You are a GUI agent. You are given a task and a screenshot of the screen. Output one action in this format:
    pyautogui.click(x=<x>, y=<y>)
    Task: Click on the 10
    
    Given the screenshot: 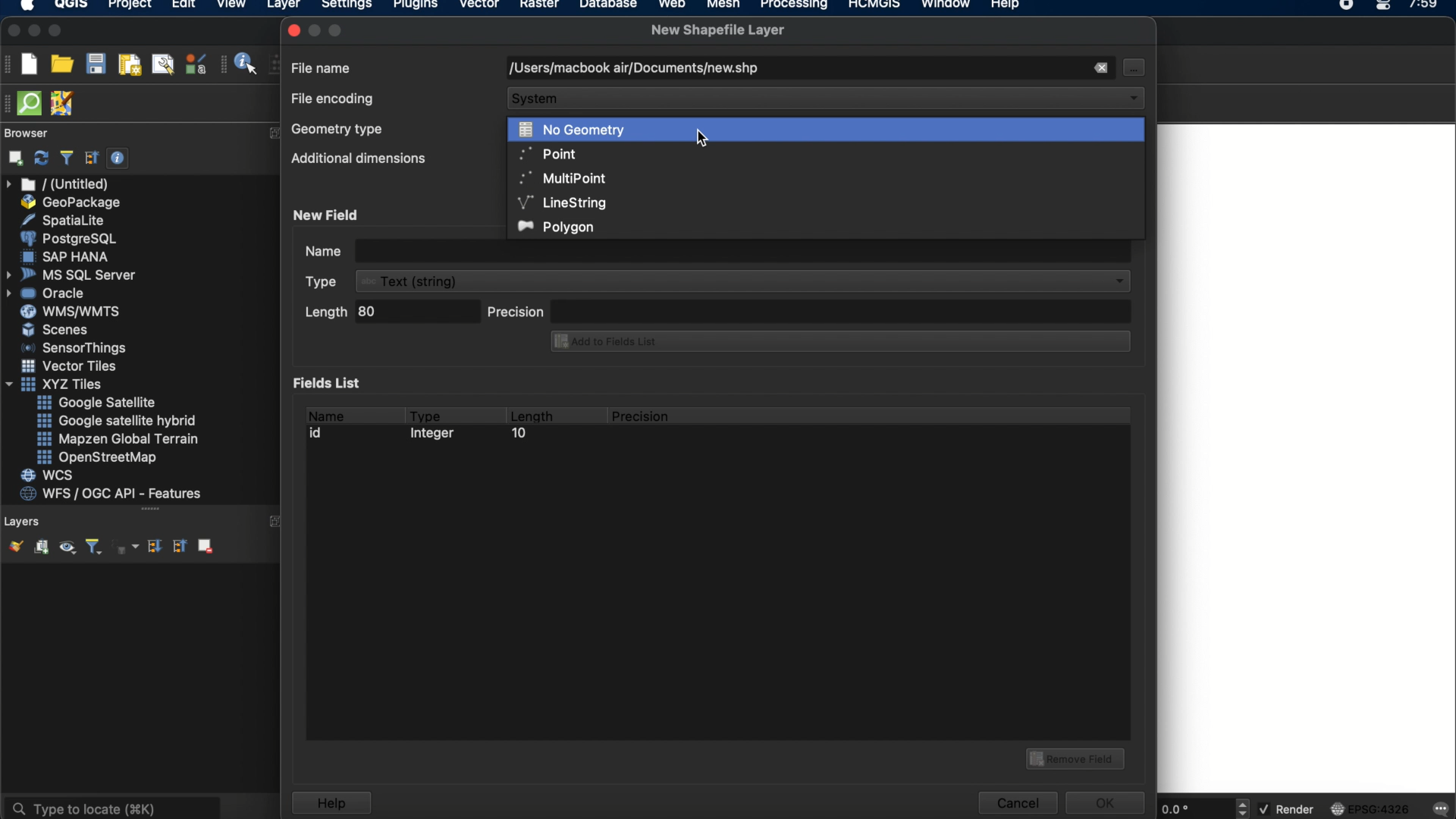 What is the action you would take?
    pyautogui.click(x=518, y=435)
    